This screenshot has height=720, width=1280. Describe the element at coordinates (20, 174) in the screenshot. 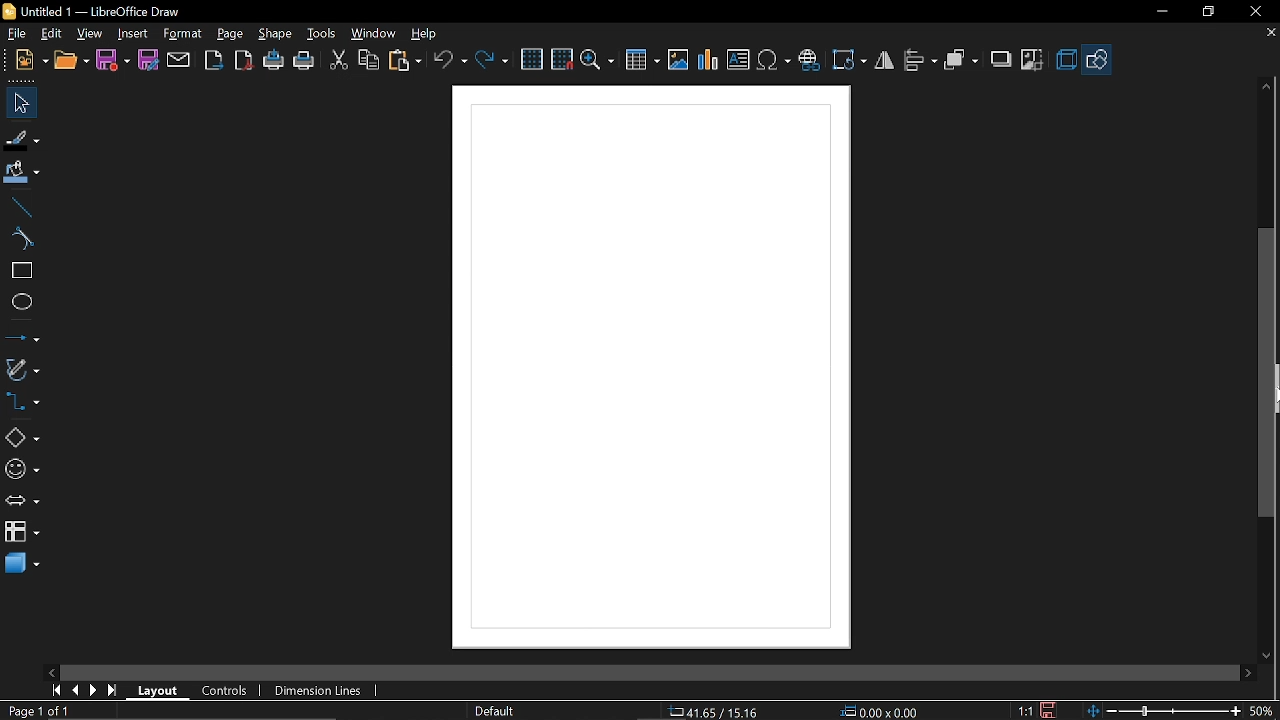

I see `fill color` at that location.